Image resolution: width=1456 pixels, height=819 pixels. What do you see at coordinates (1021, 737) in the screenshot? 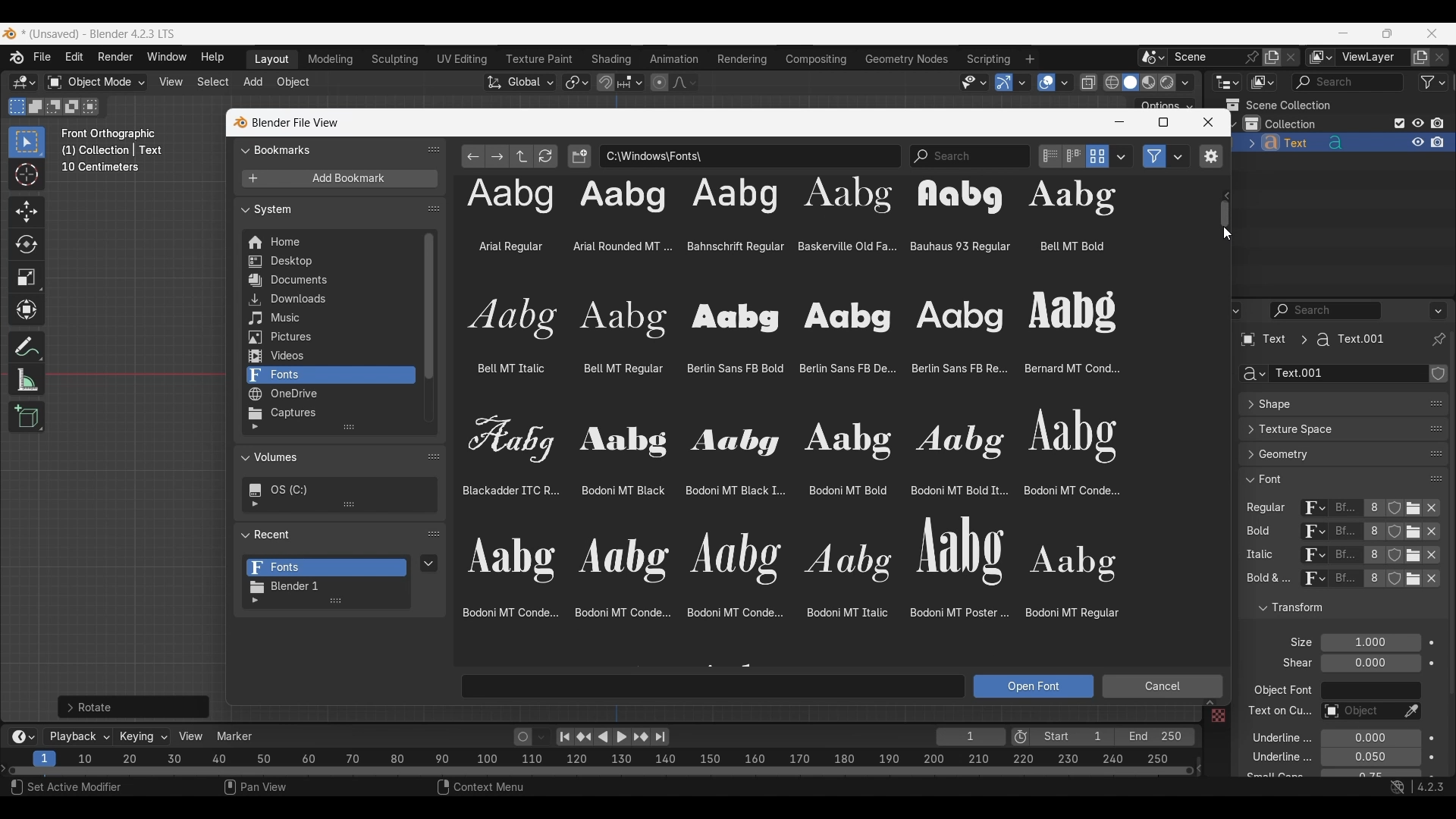
I see `Use preview range` at bounding box center [1021, 737].